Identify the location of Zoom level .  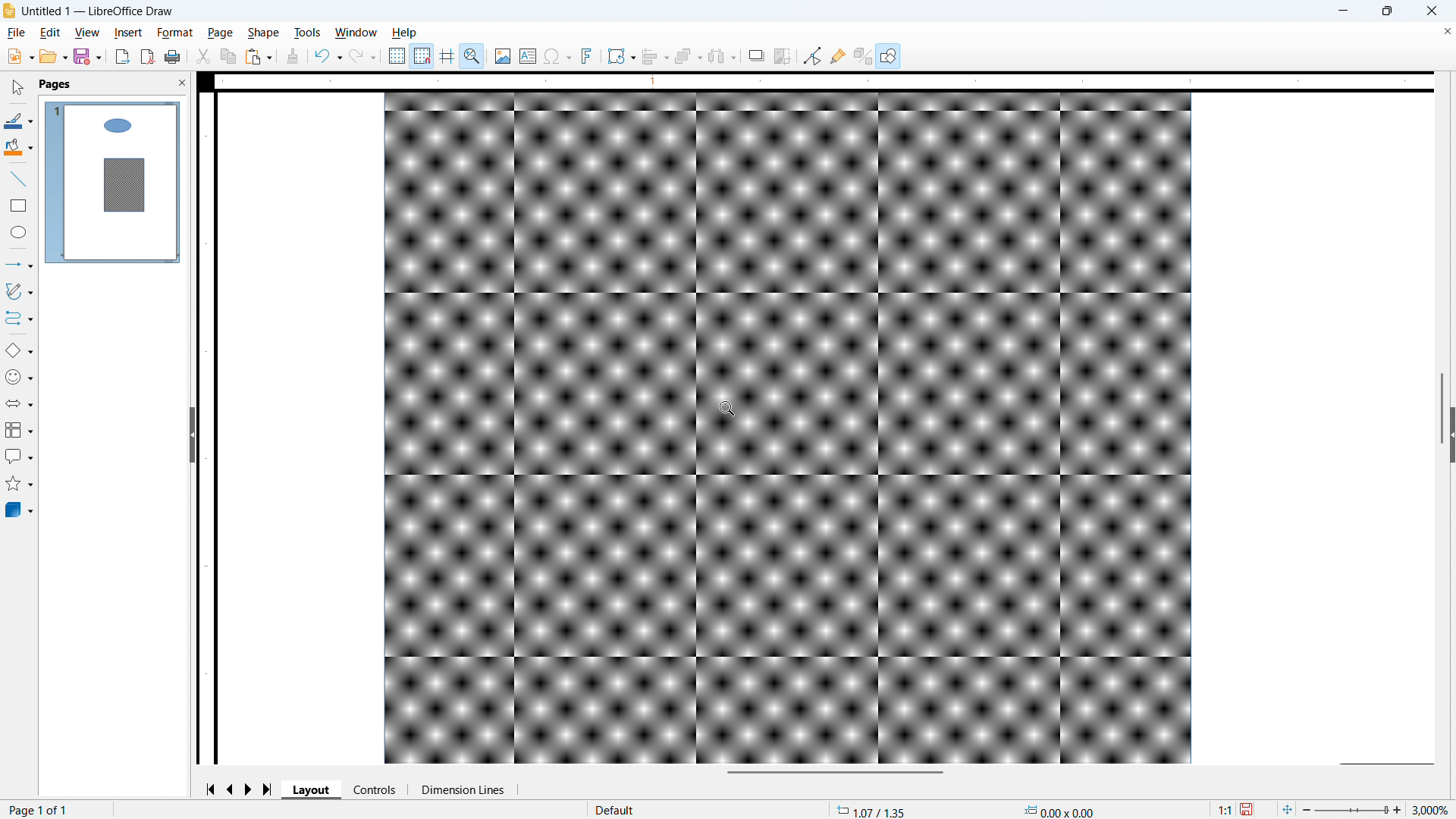
(1433, 809).